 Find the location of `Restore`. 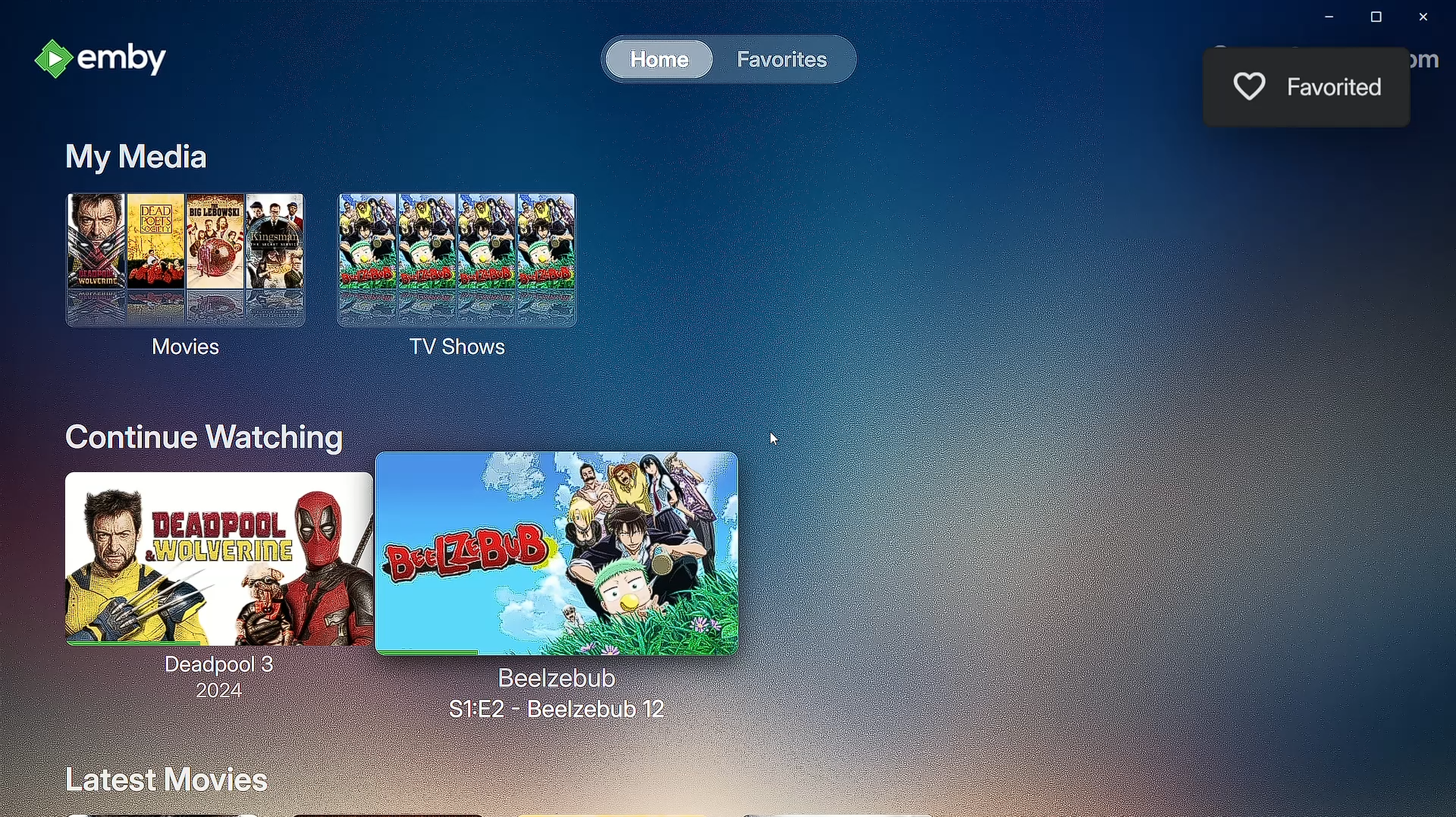

Restore is located at coordinates (1373, 17).